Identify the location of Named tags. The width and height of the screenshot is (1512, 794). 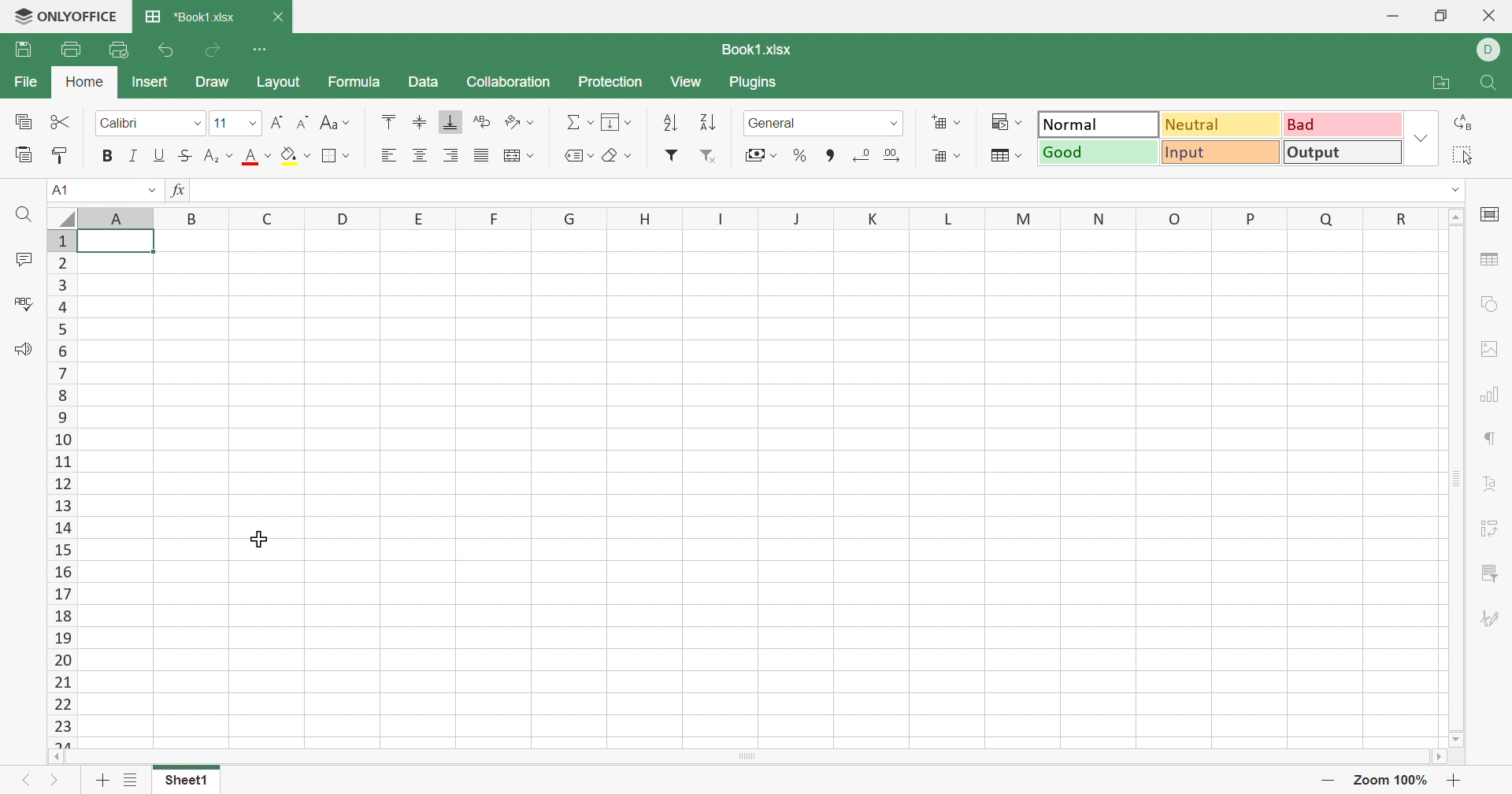
(566, 153).